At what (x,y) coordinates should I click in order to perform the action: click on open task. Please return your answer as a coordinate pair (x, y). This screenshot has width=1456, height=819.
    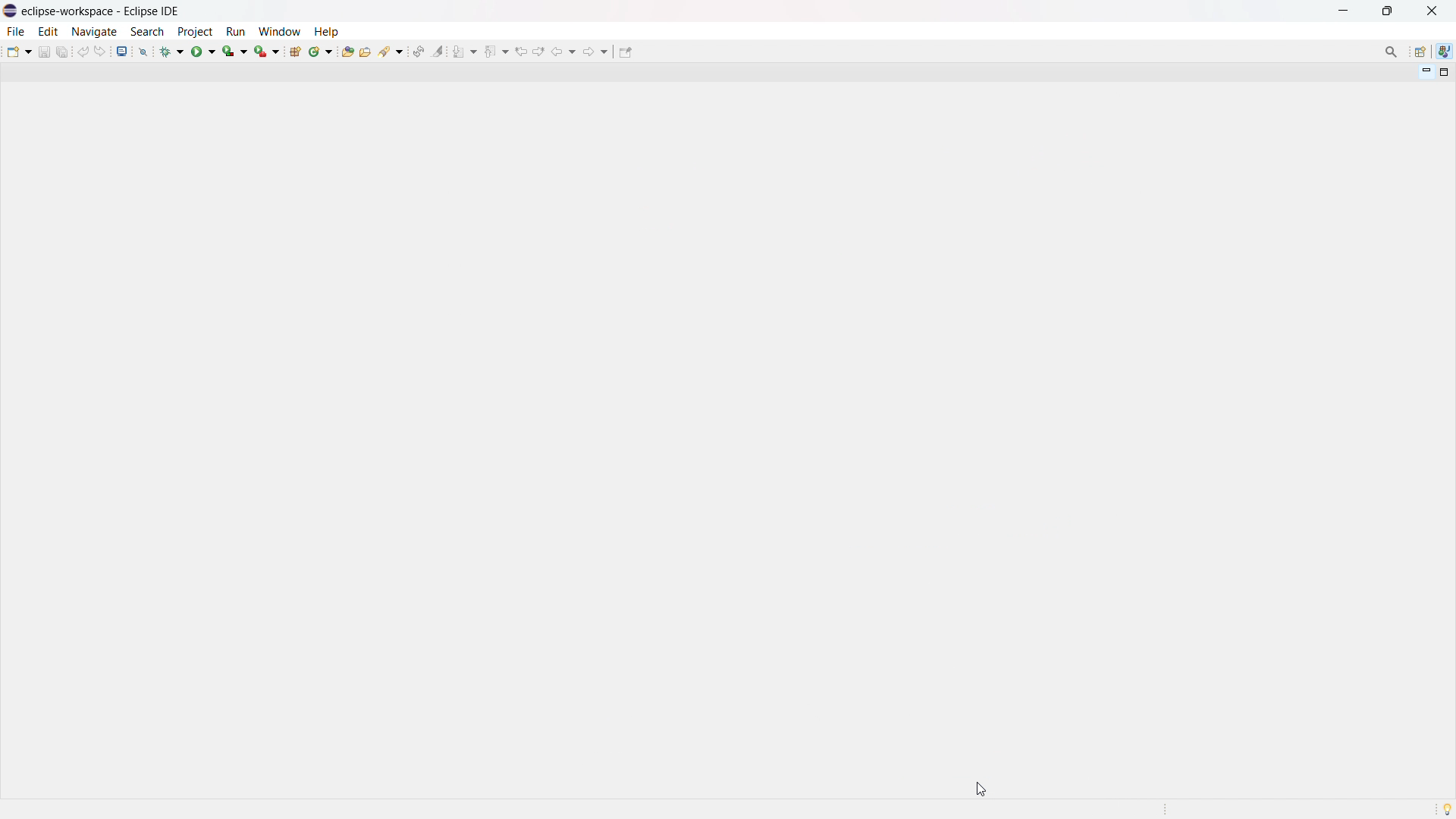
    Looking at the image, I should click on (367, 50).